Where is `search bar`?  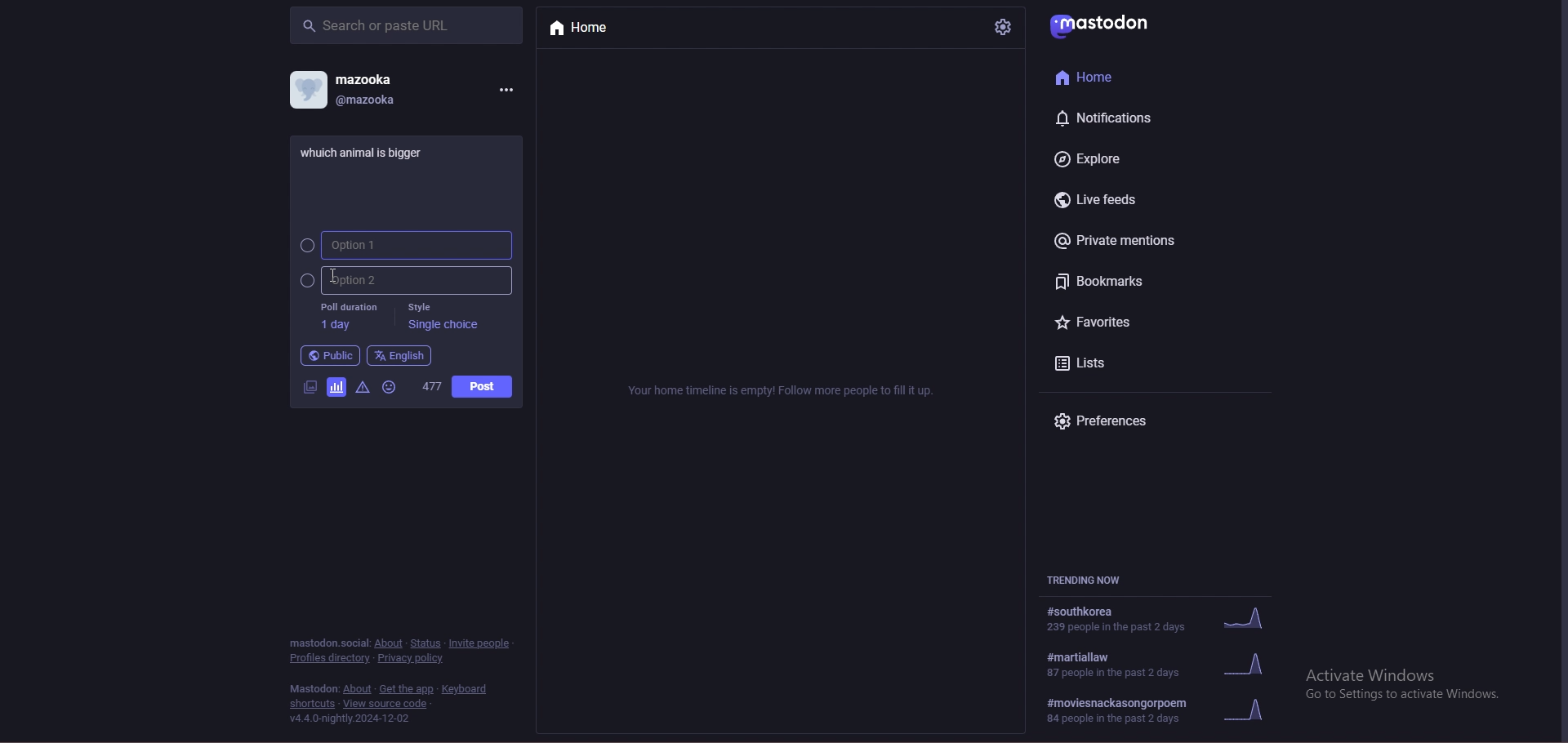
search bar is located at coordinates (406, 24).